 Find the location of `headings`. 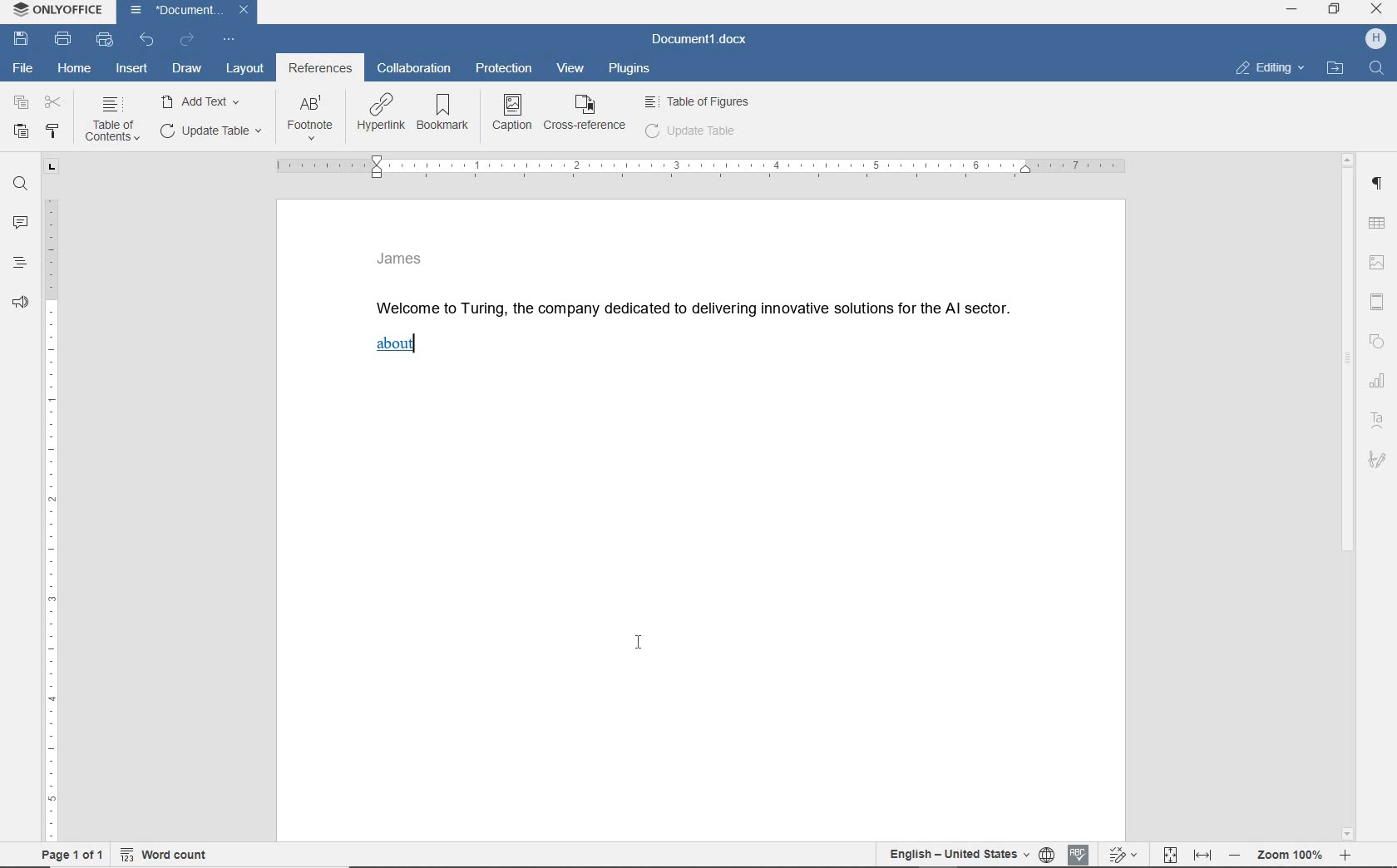

headings is located at coordinates (19, 267).